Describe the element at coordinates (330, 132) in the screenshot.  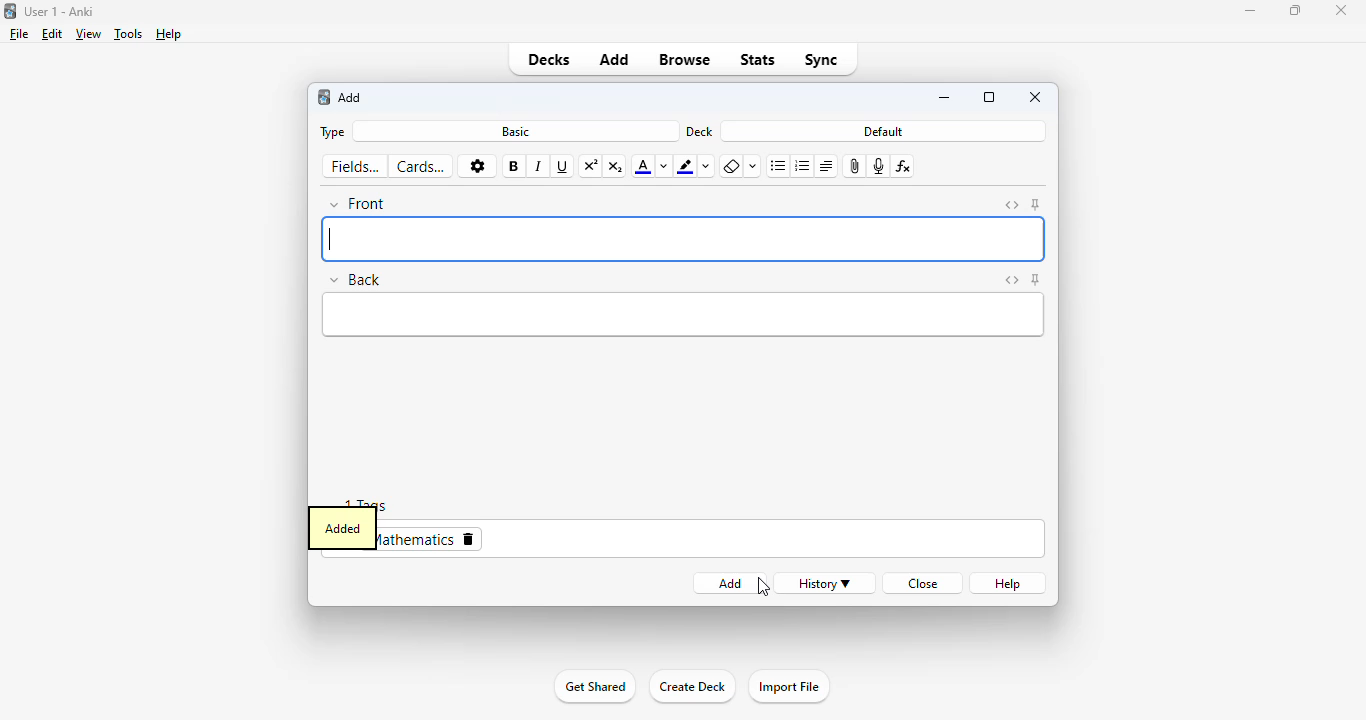
I see `type` at that location.